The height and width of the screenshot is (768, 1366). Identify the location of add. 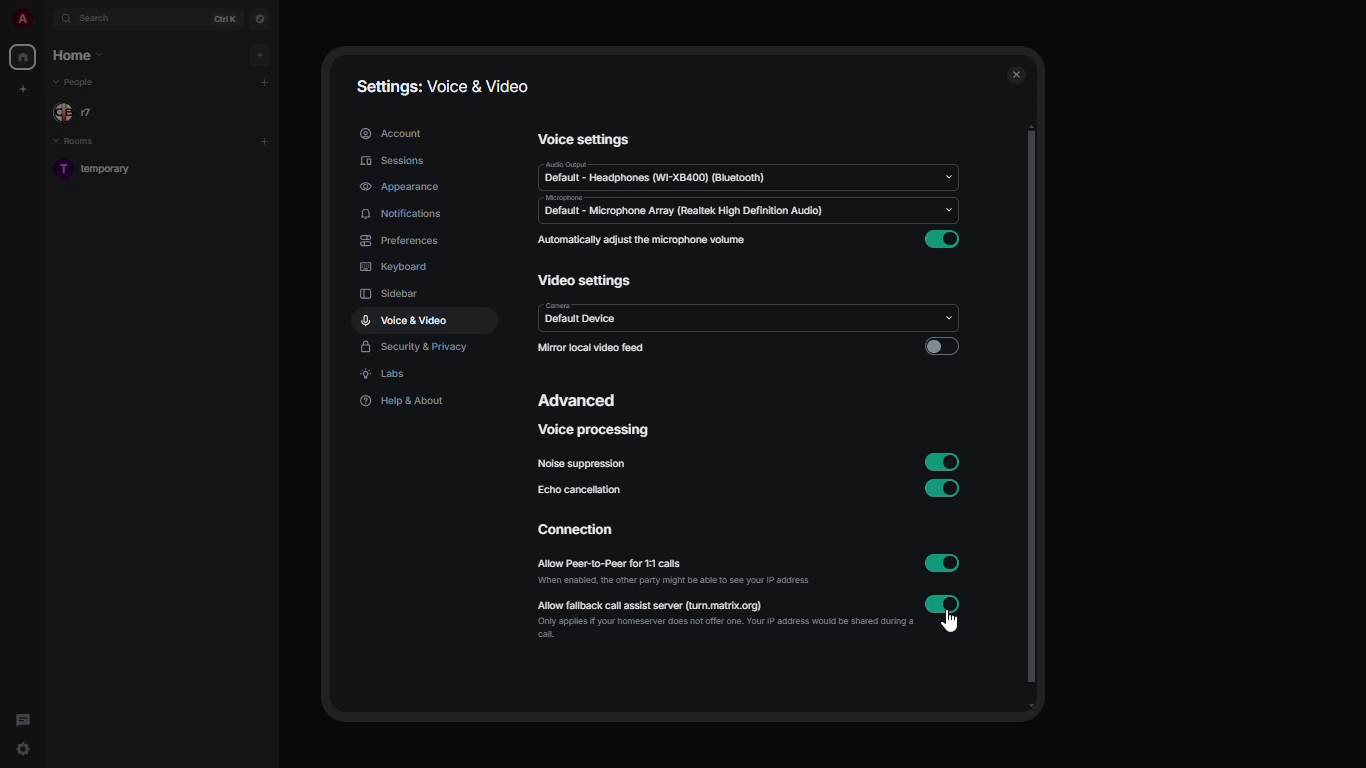
(264, 142).